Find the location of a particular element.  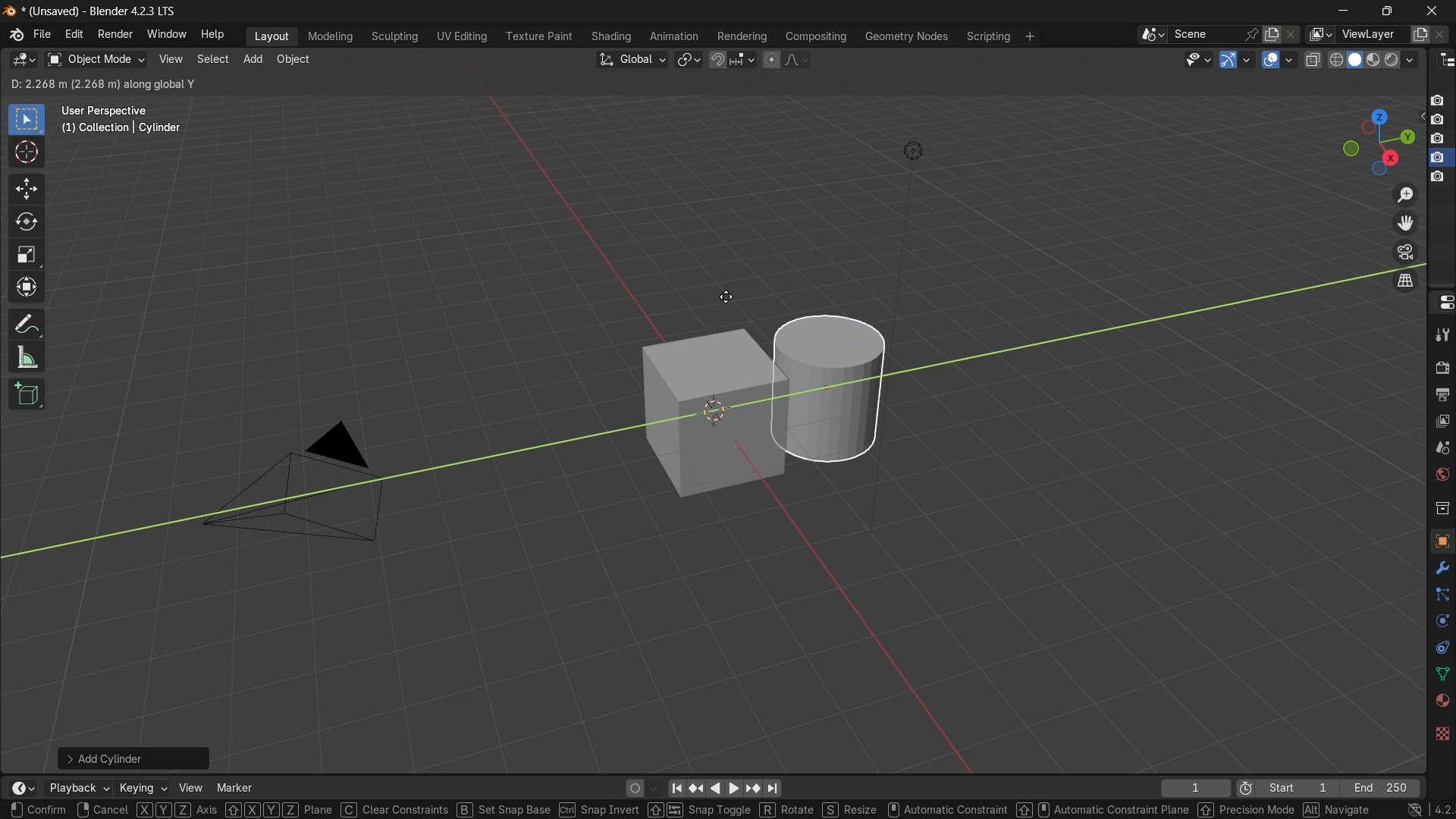

toggle the camera view is located at coordinates (1405, 252).